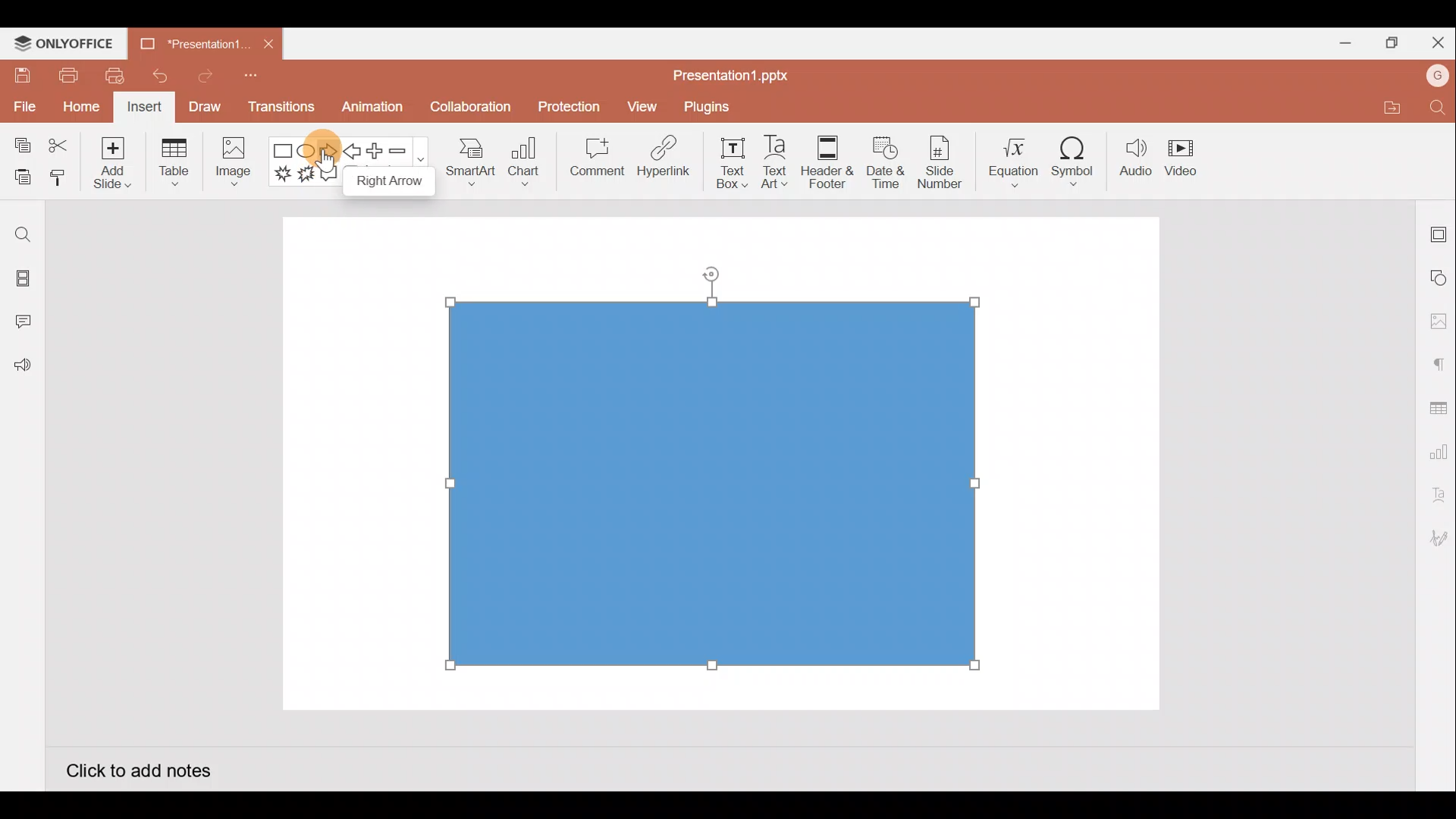 Image resolution: width=1456 pixels, height=819 pixels. Describe the element at coordinates (717, 105) in the screenshot. I see `Plugins` at that location.